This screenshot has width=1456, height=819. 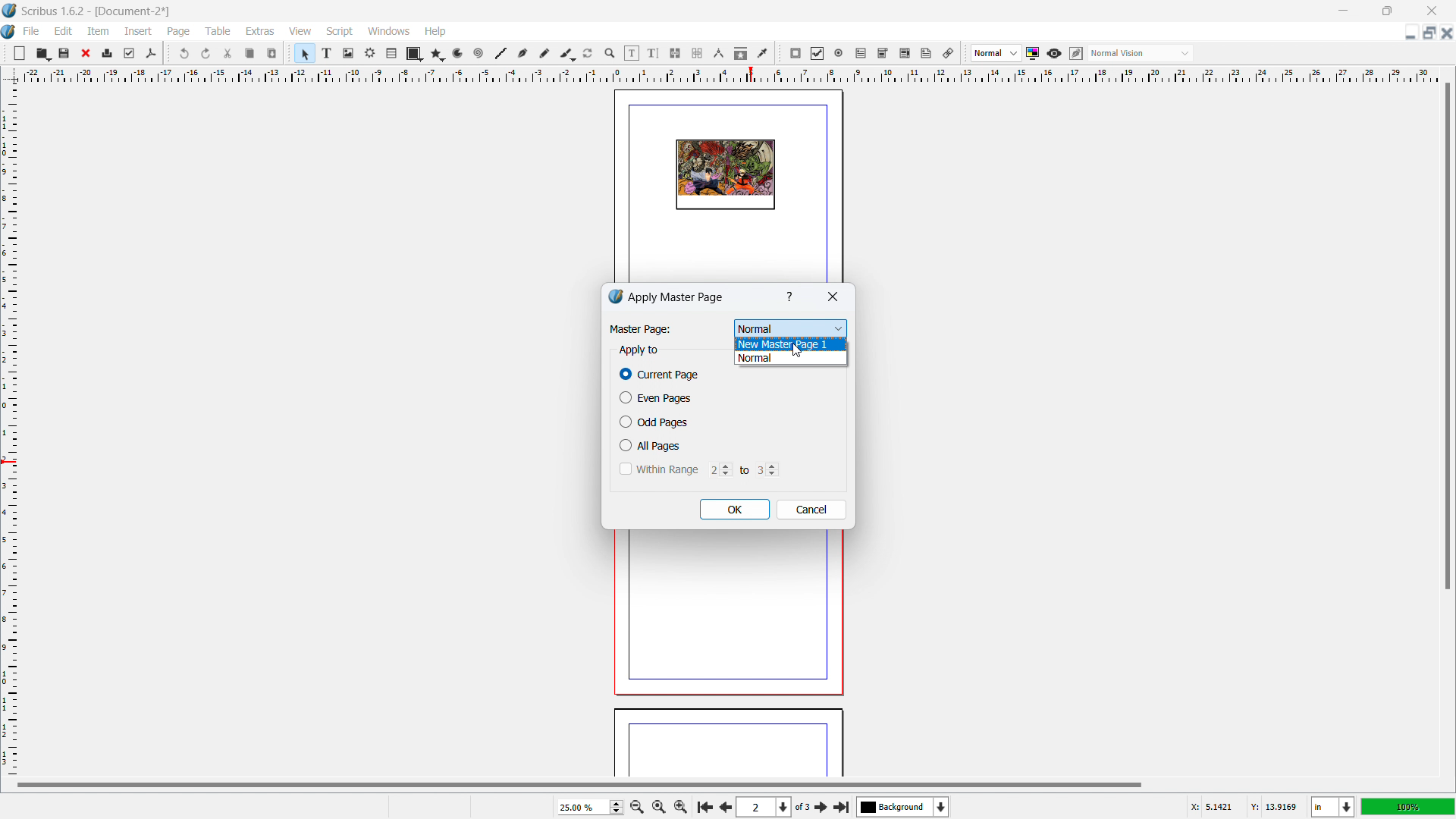 I want to click on preflight checkbox, so click(x=130, y=53).